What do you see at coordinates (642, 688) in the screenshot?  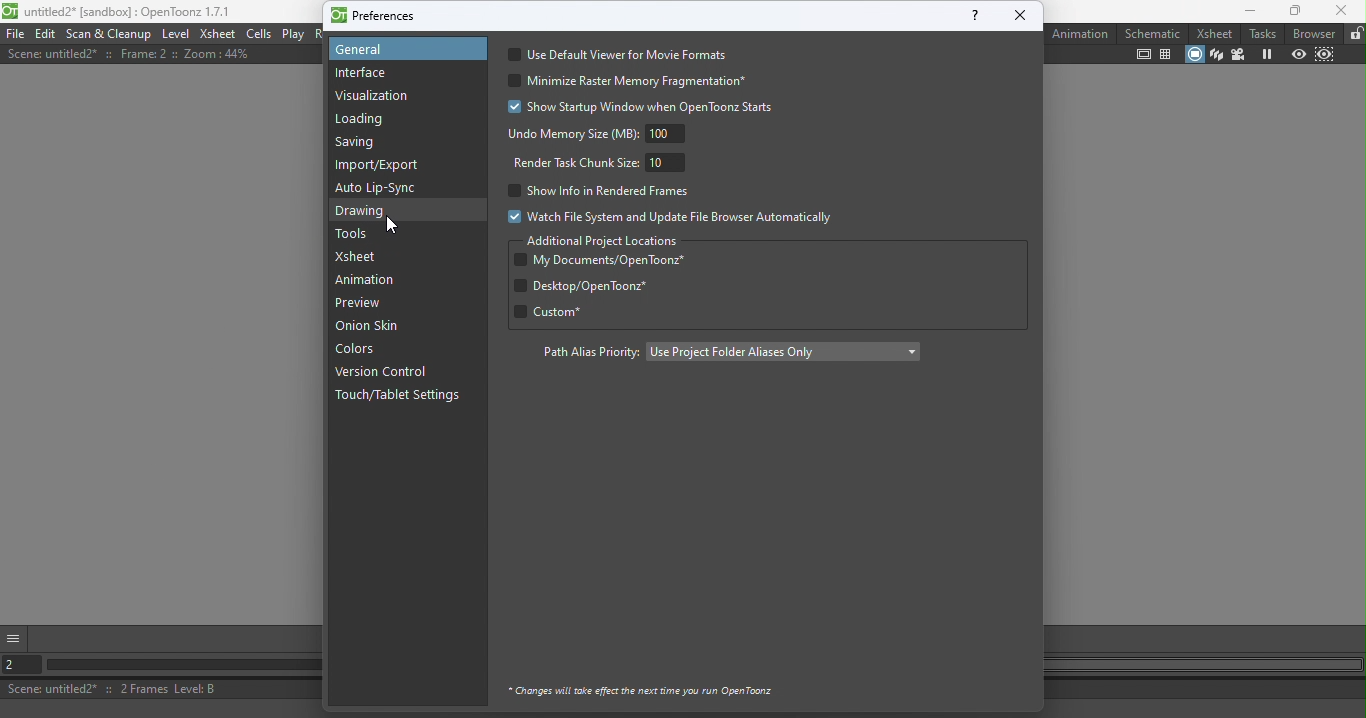 I see `* Changes will take effect the next time you rum OpenToonz` at bounding box center [642, 688].